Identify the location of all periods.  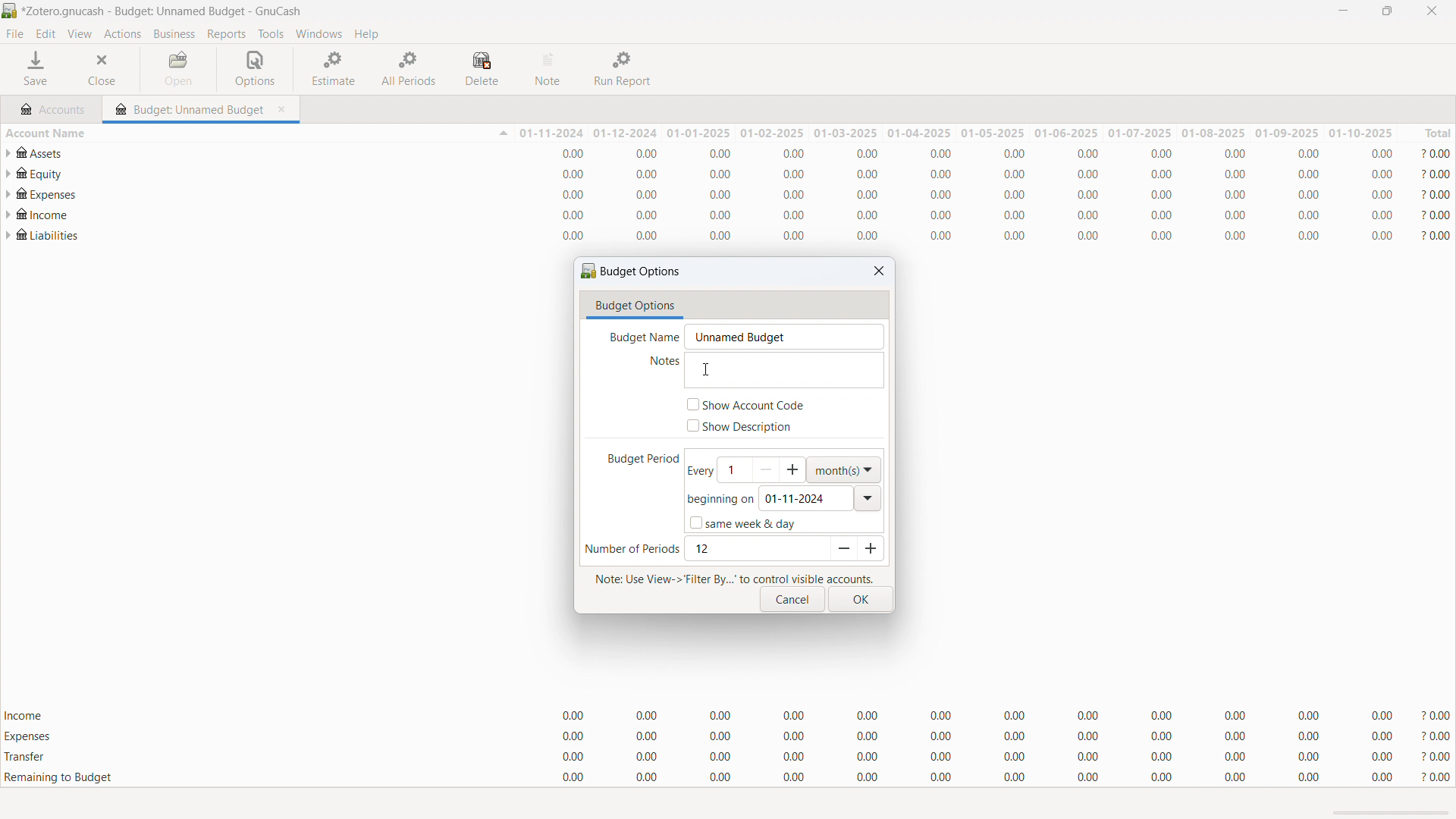
(409, 68).